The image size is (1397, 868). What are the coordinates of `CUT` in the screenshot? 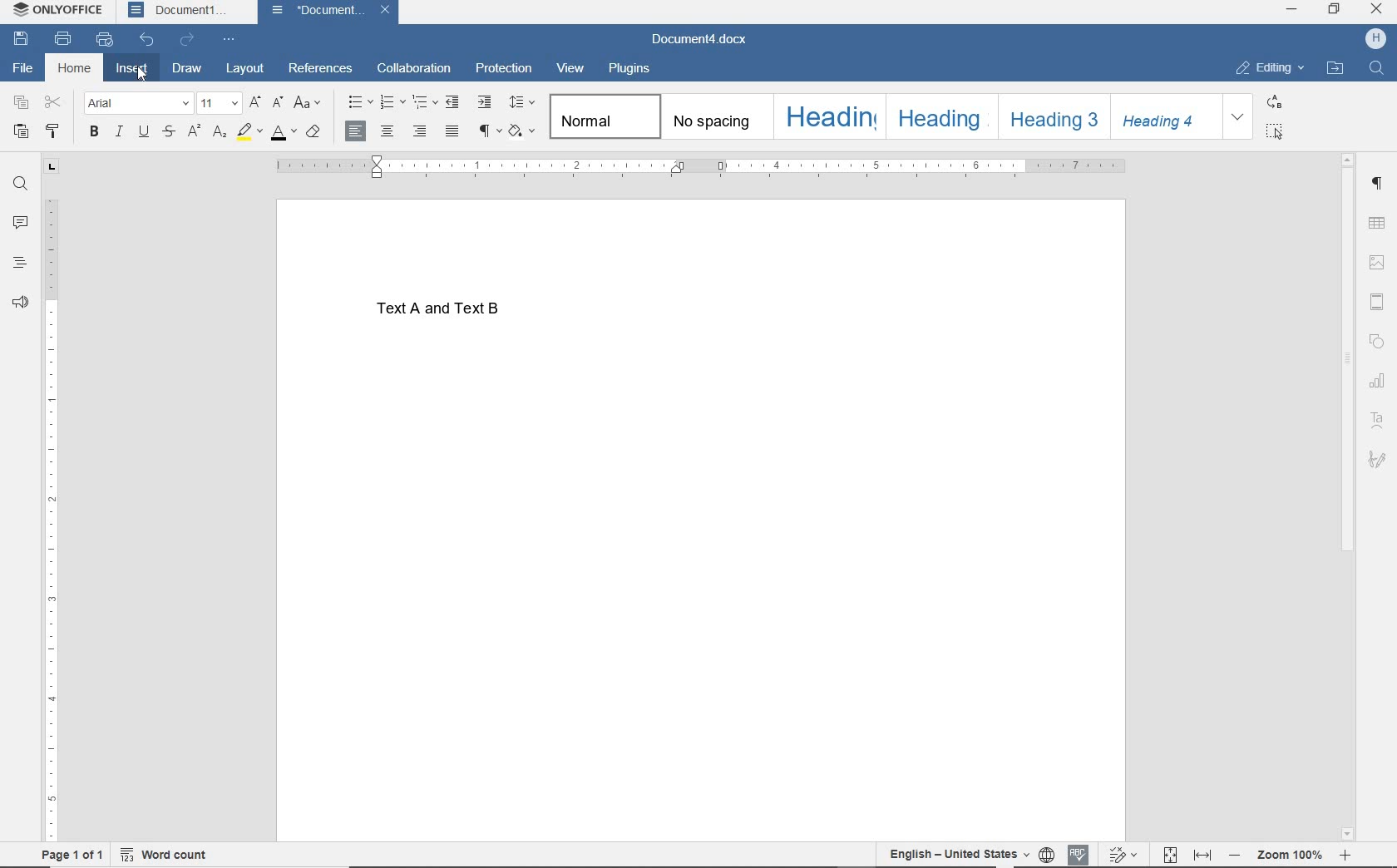 It's located at (54, 103).